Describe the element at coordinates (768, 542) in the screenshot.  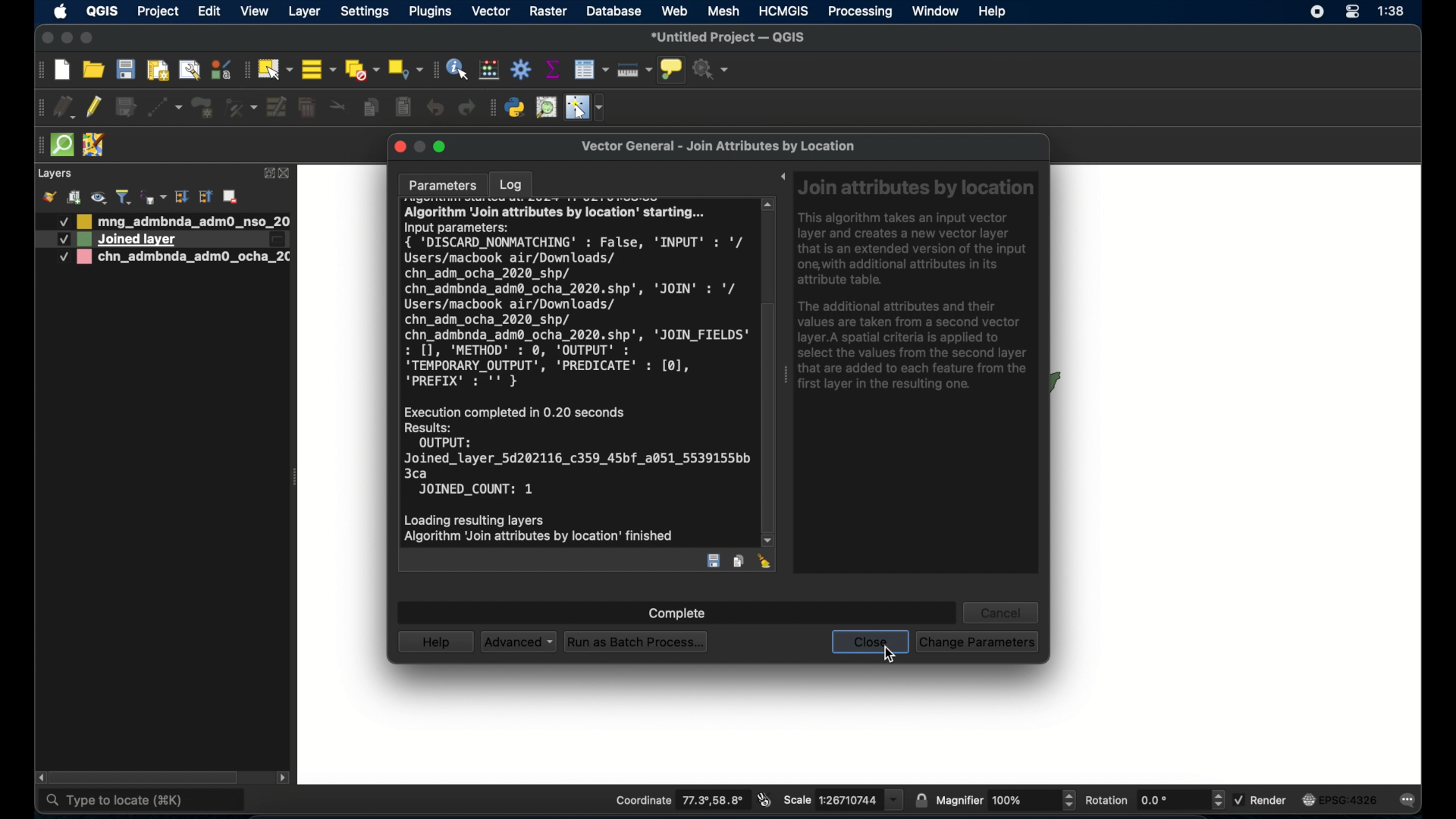
I see `scroll down arrow` at that location.